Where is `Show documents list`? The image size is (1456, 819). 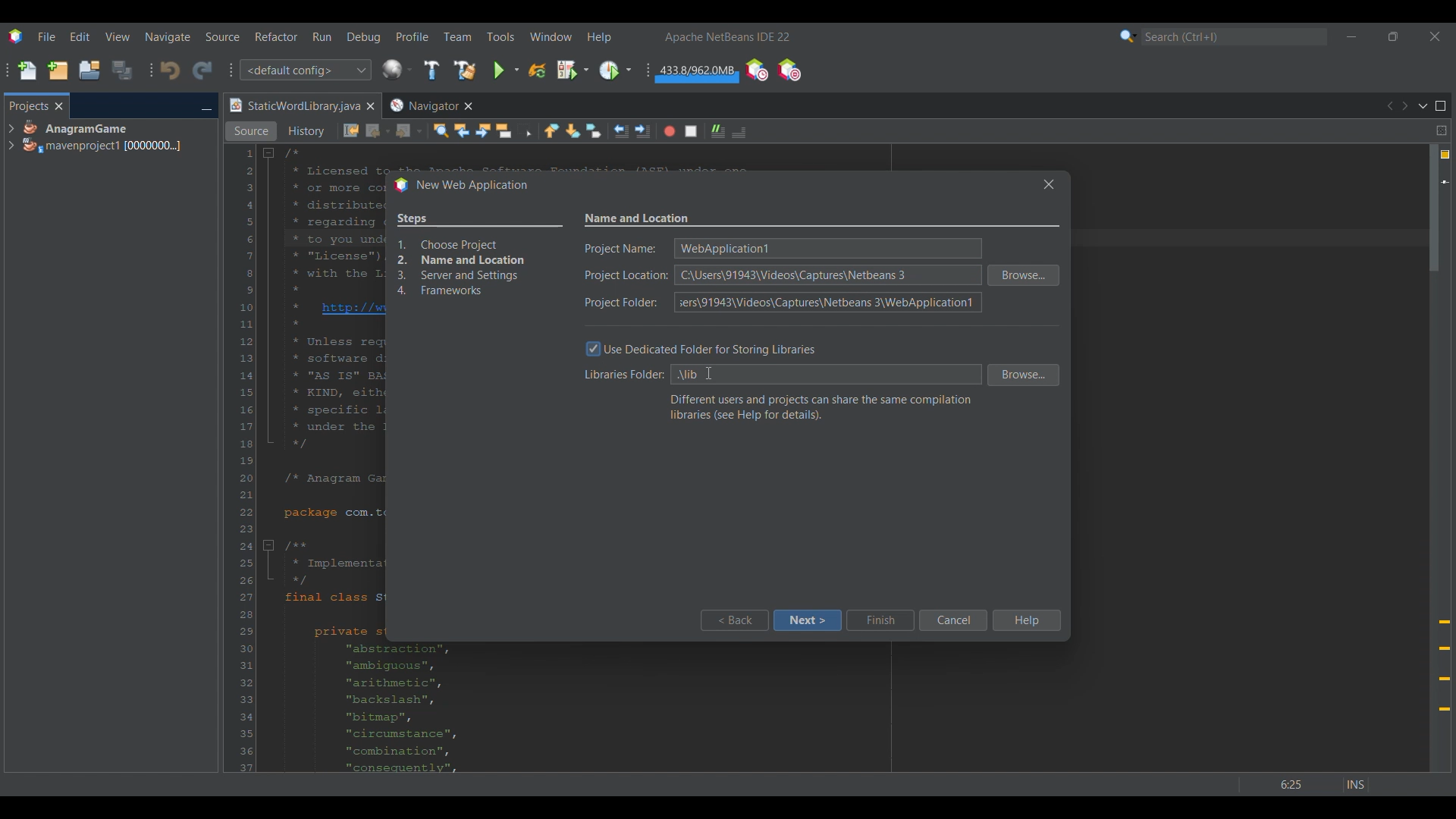
Show documents list is located at coordinates (1423, 105).